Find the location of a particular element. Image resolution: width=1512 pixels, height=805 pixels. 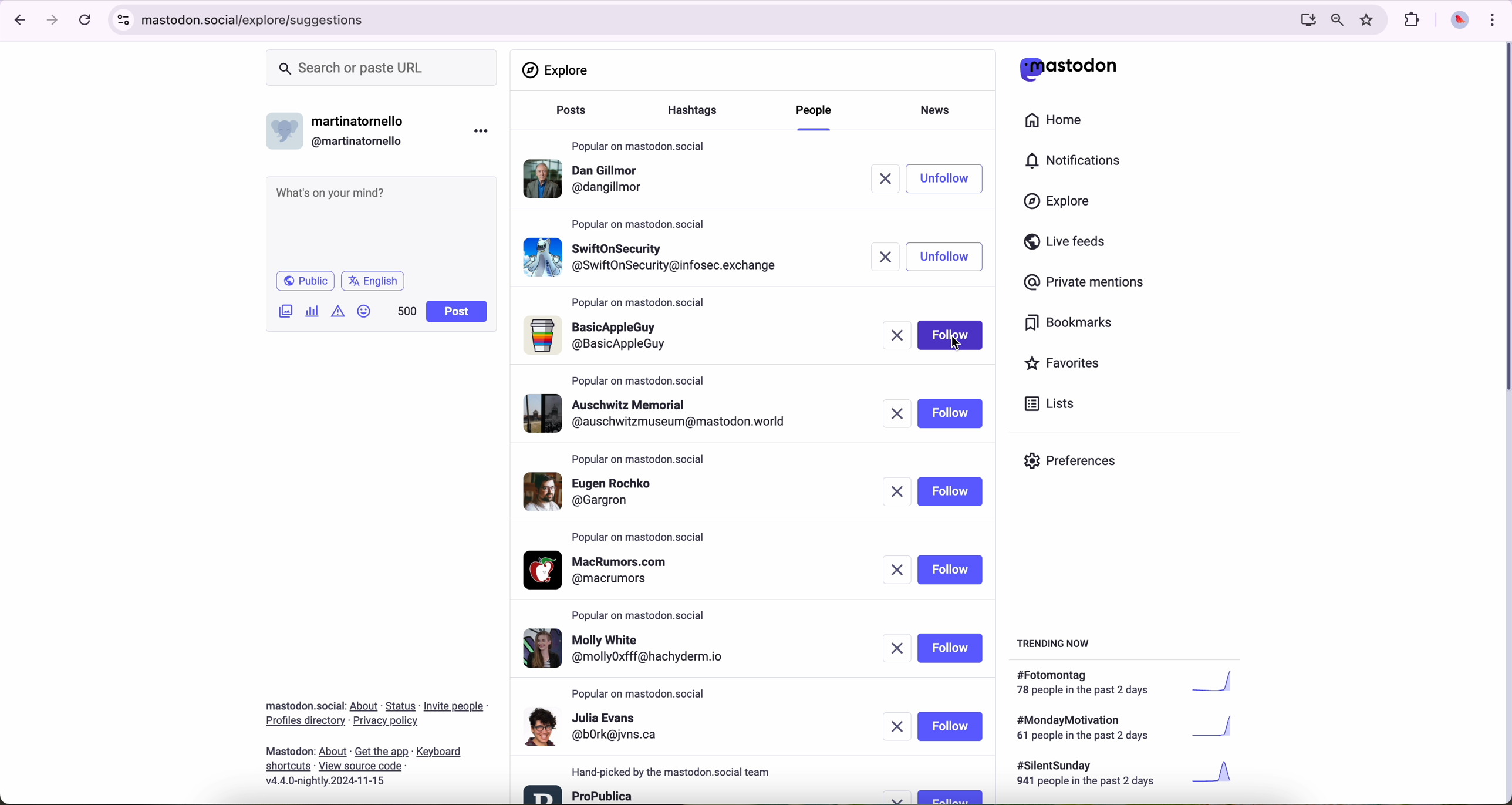

remove is located at coordinates (897, 570).